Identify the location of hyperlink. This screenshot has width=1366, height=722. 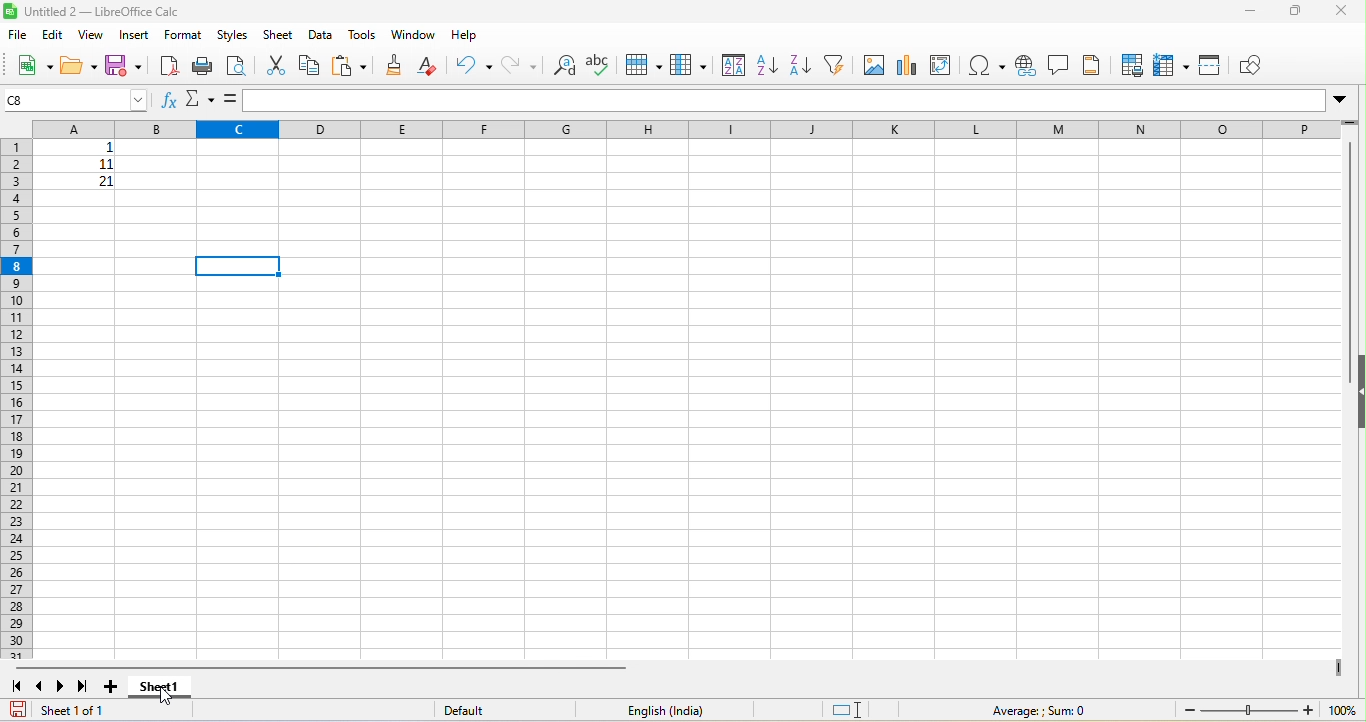
(1024, 64).